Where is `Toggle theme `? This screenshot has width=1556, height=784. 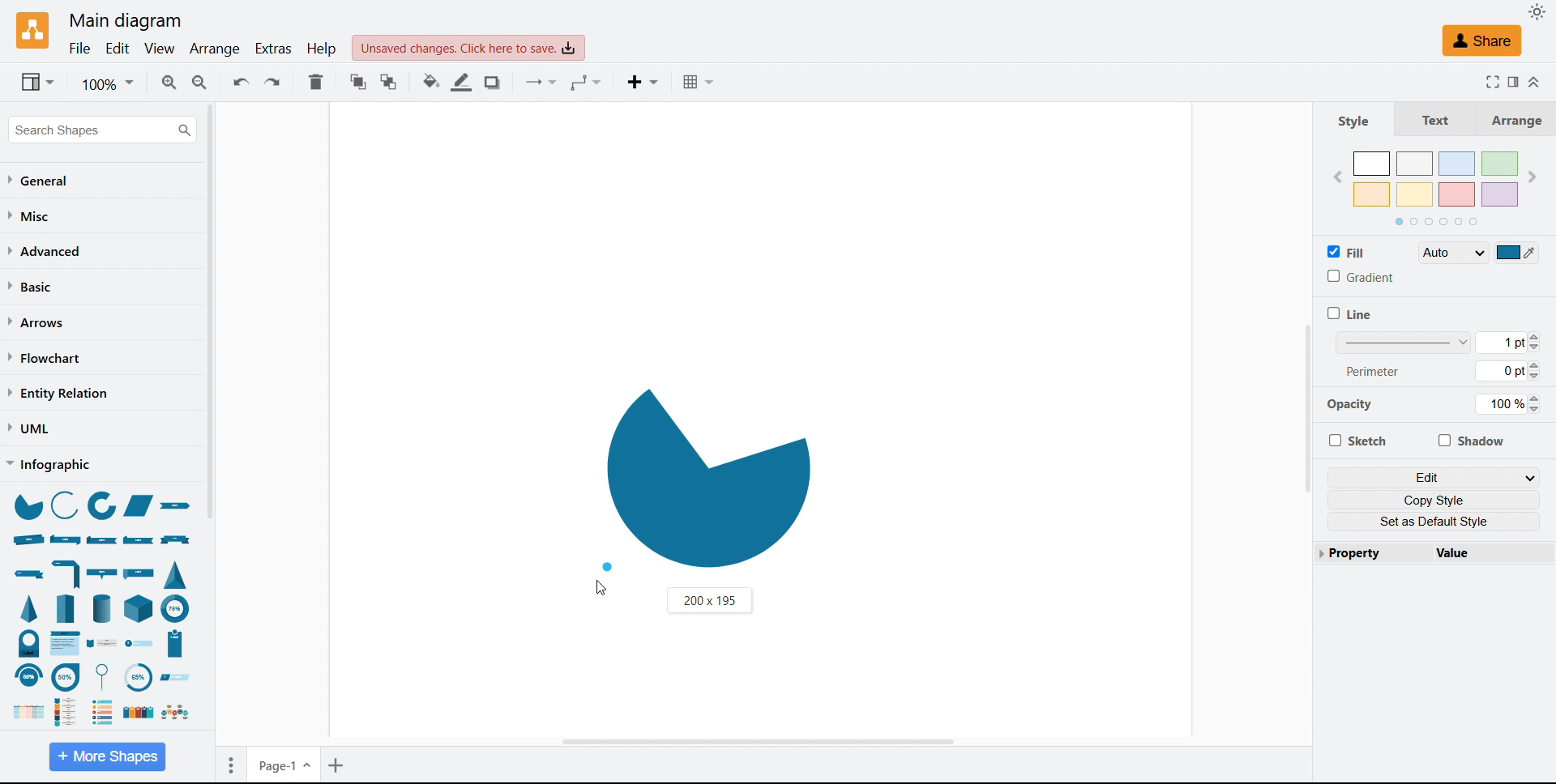
Toggle theme  is located at coordinates (1538, 11).